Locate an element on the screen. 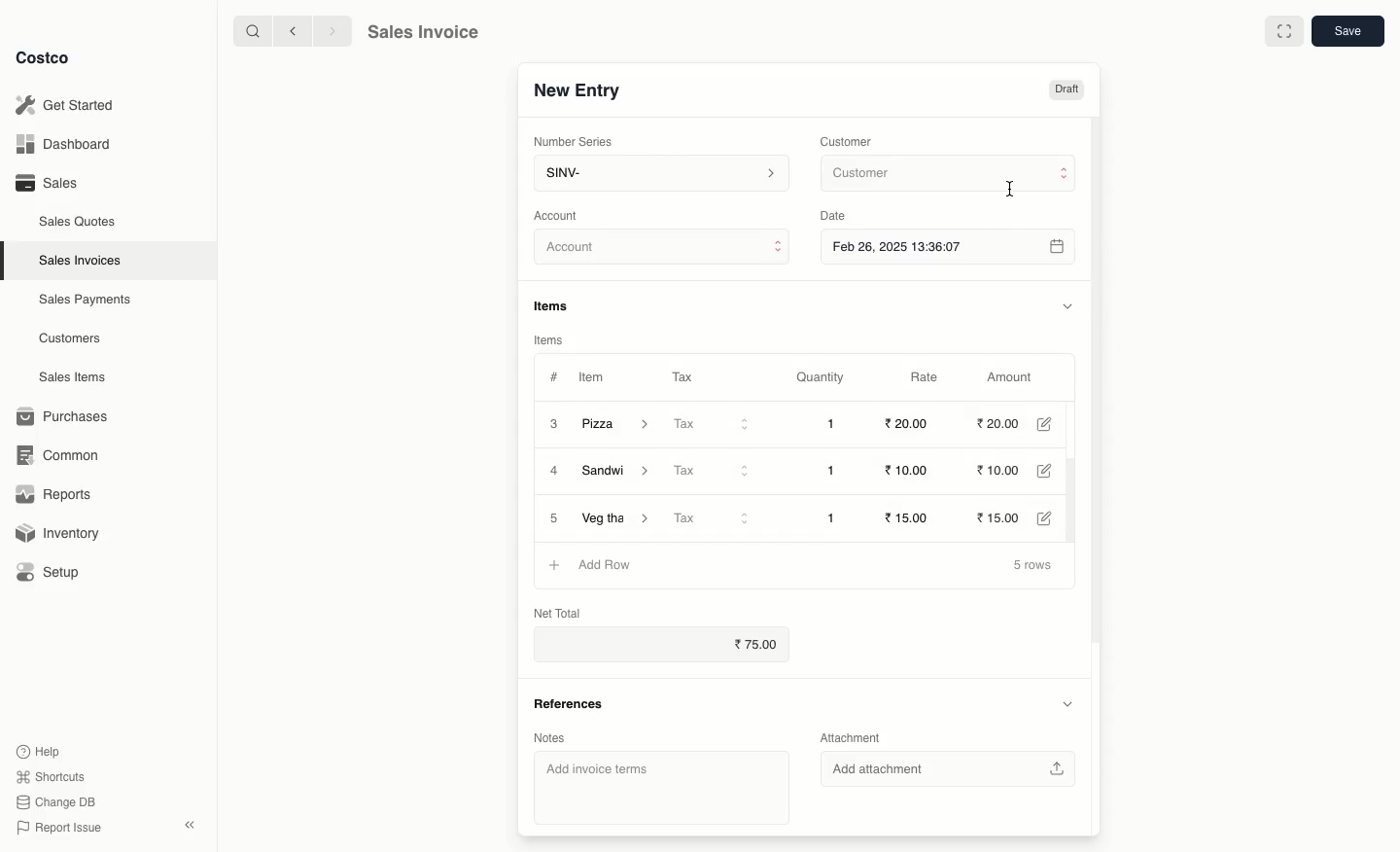  Collapse is located at coordinates (192, 826).